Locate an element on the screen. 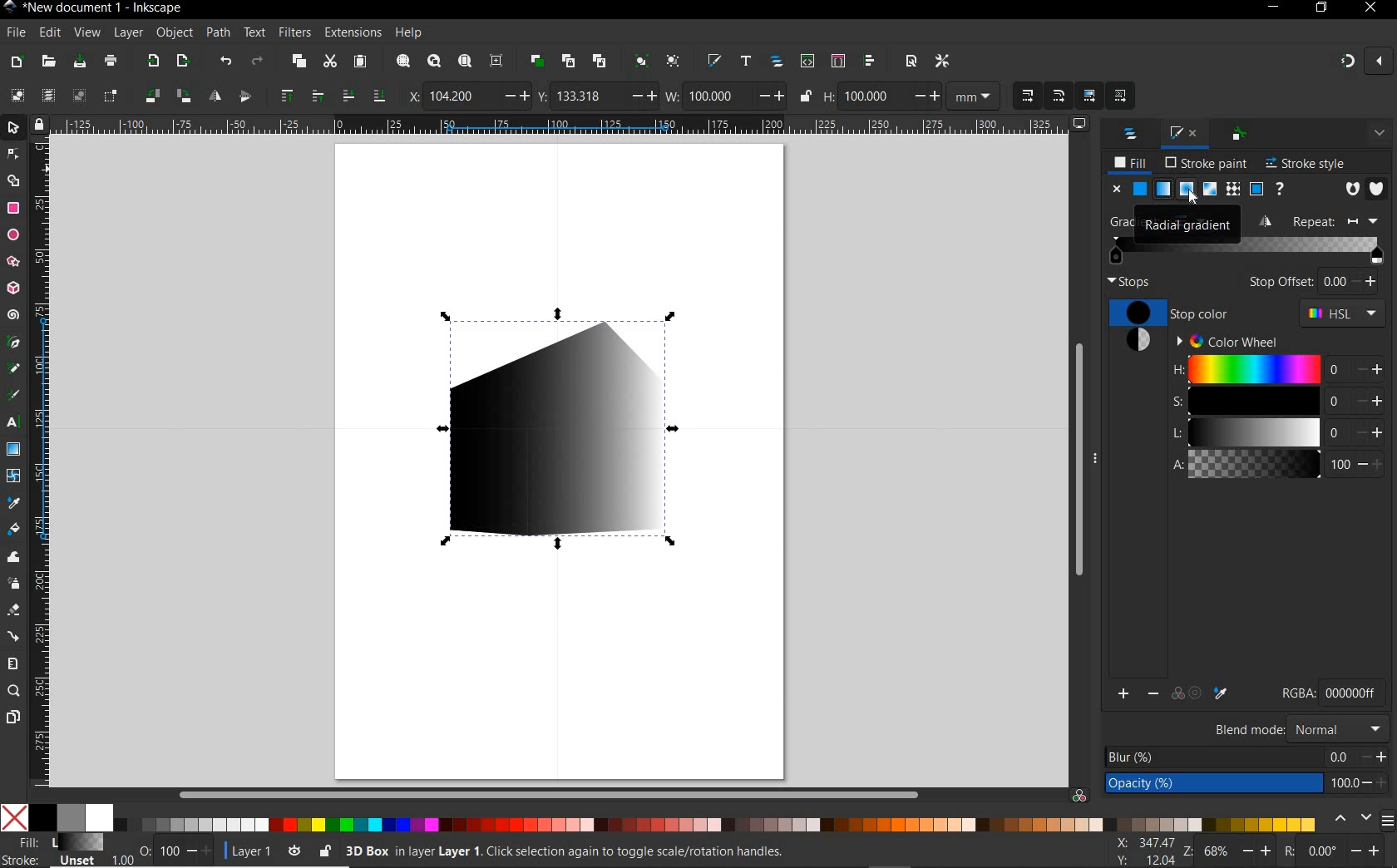  SCROLLBAR is located at coordinates (560, 793).